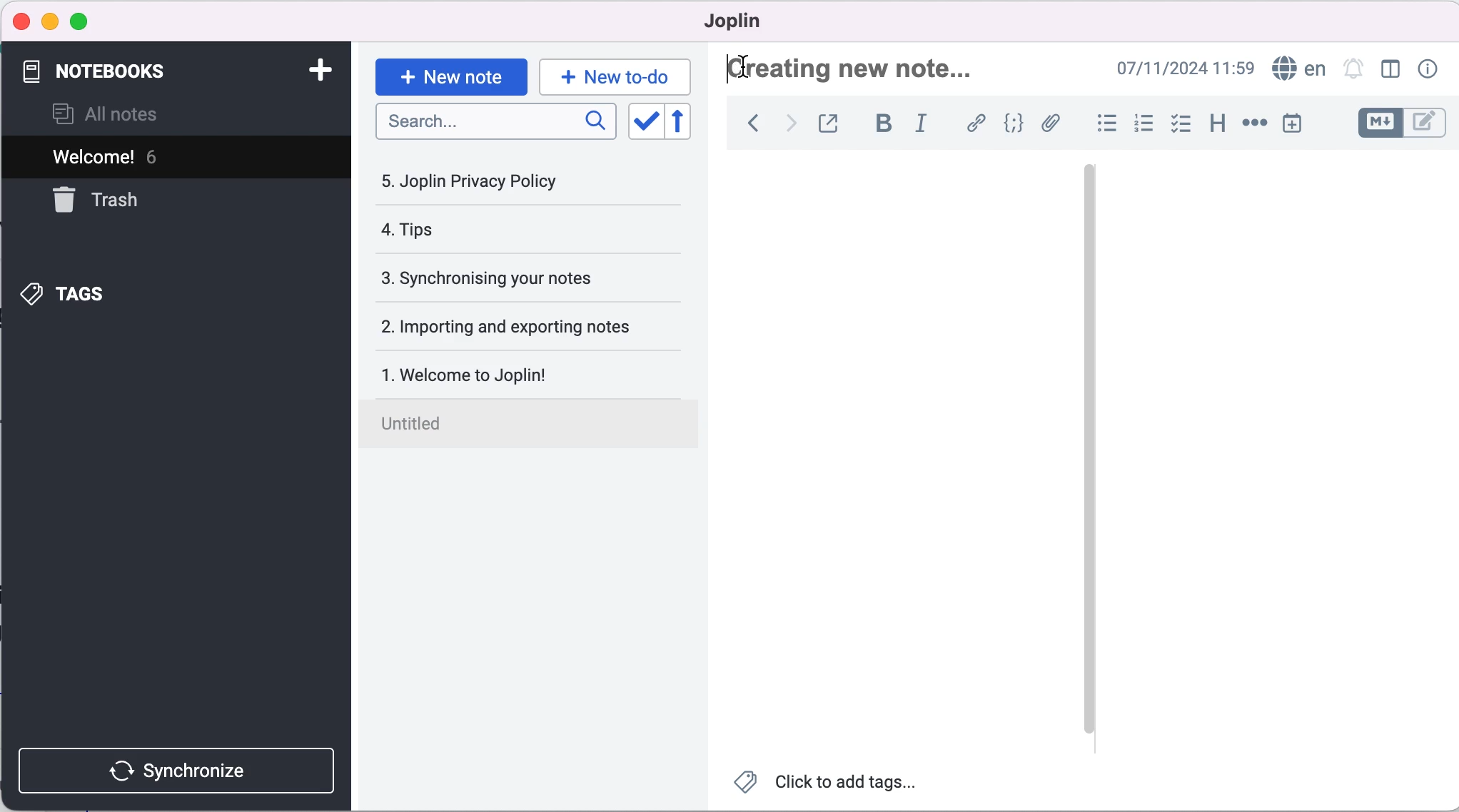 The image size is (1459, 812). What do you see at coordinates (1144, 124) in the screenshot?
I see `numbered list` at bounding box center [1144, 124].